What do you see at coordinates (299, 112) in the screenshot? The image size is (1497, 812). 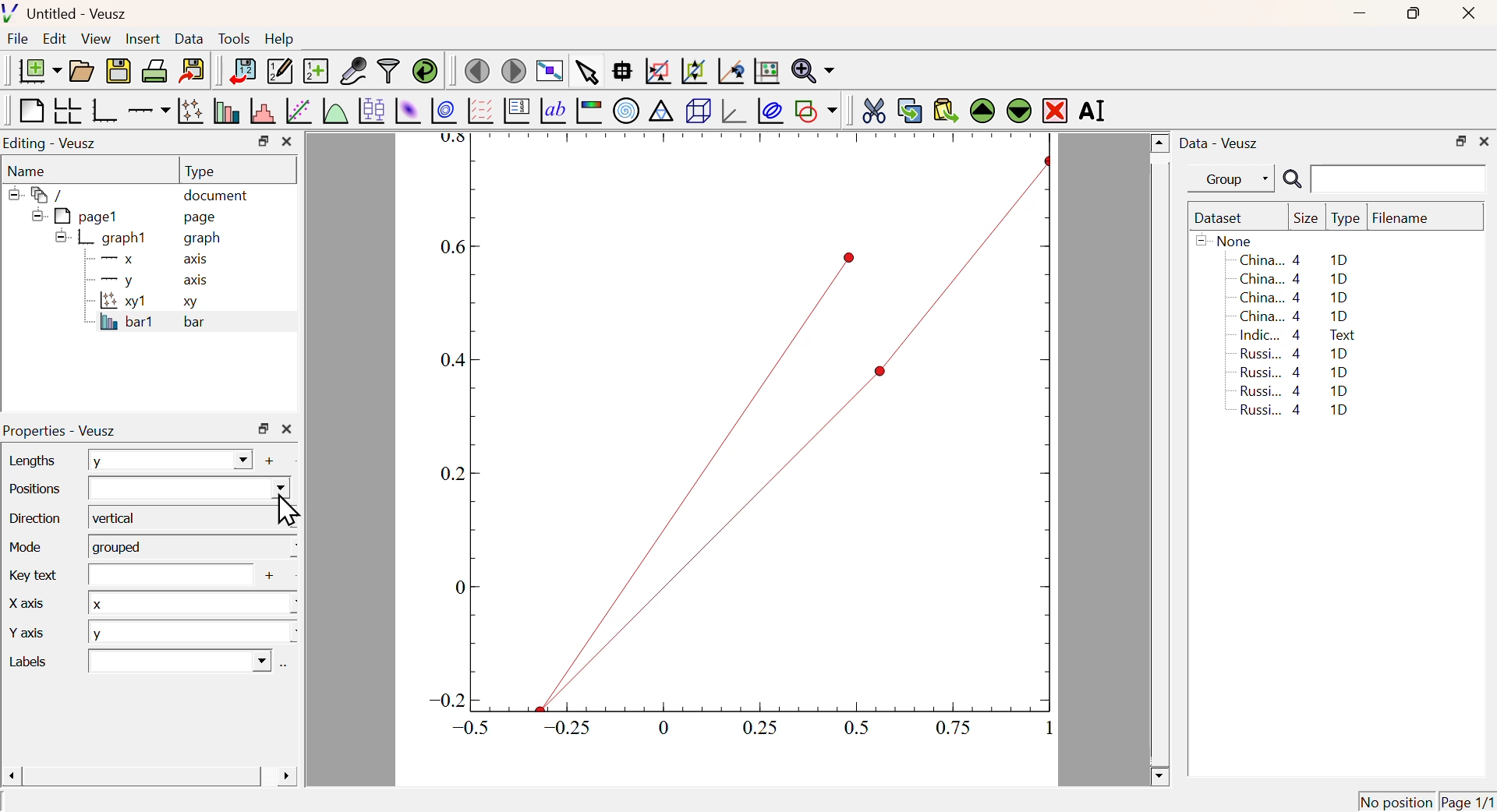 I see `Fit a function to data` at bounding box center [299, 112].